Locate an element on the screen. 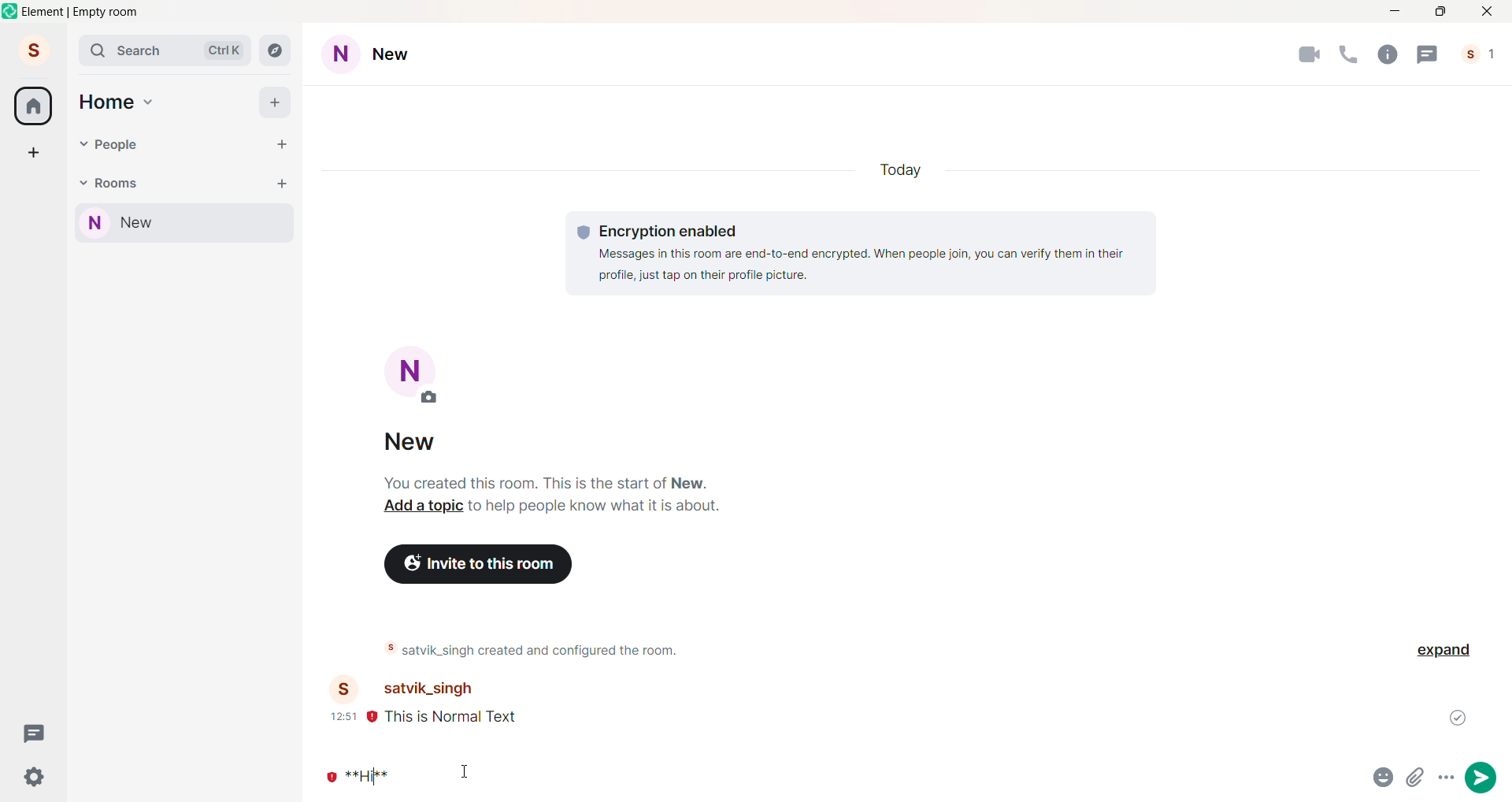 This screenshot has width=1512, height=802. Invite to this room is located at coordinates (480, 563).